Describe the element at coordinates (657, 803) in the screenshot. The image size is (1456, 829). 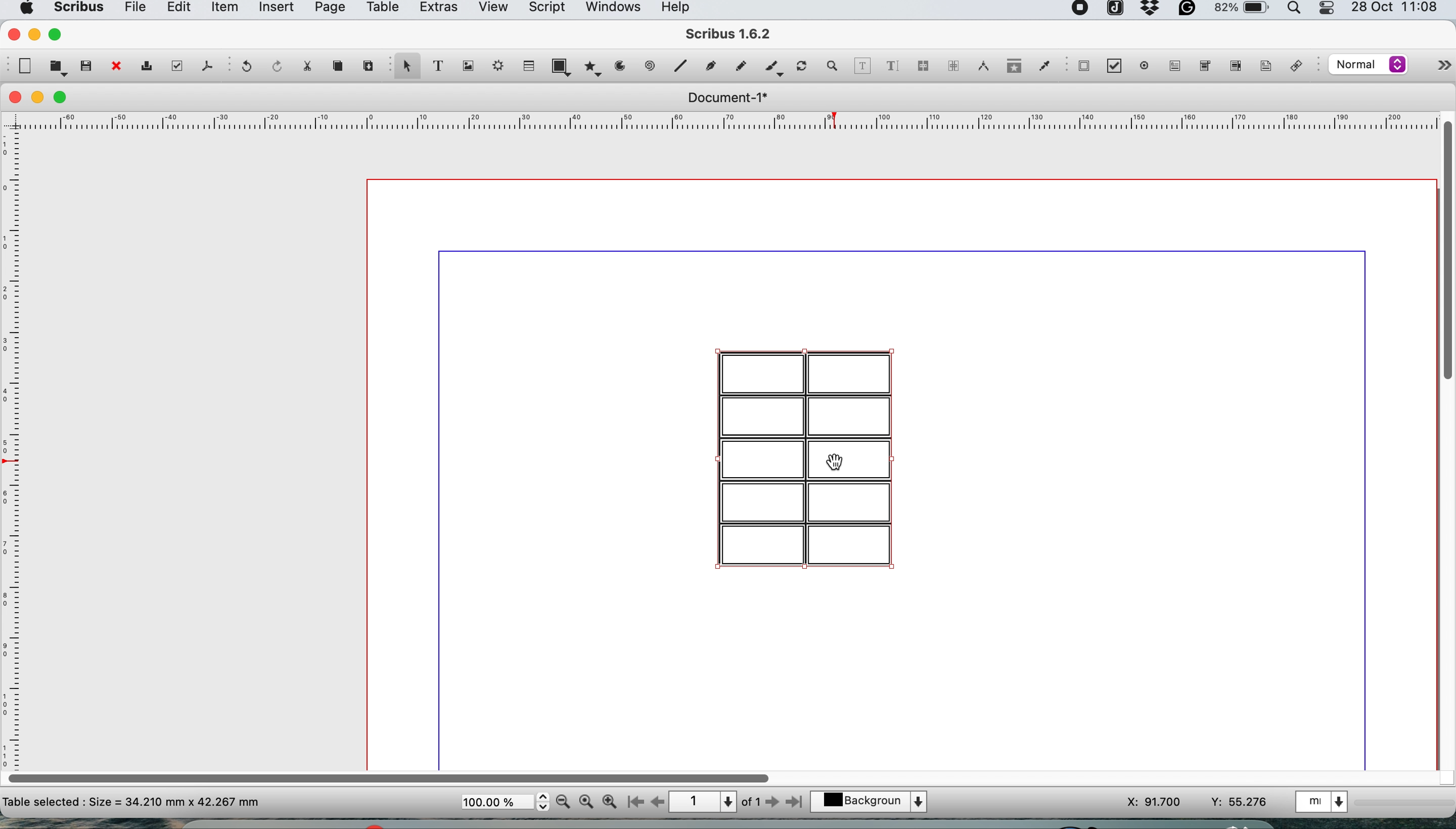
I see `go to previous page` at that location.